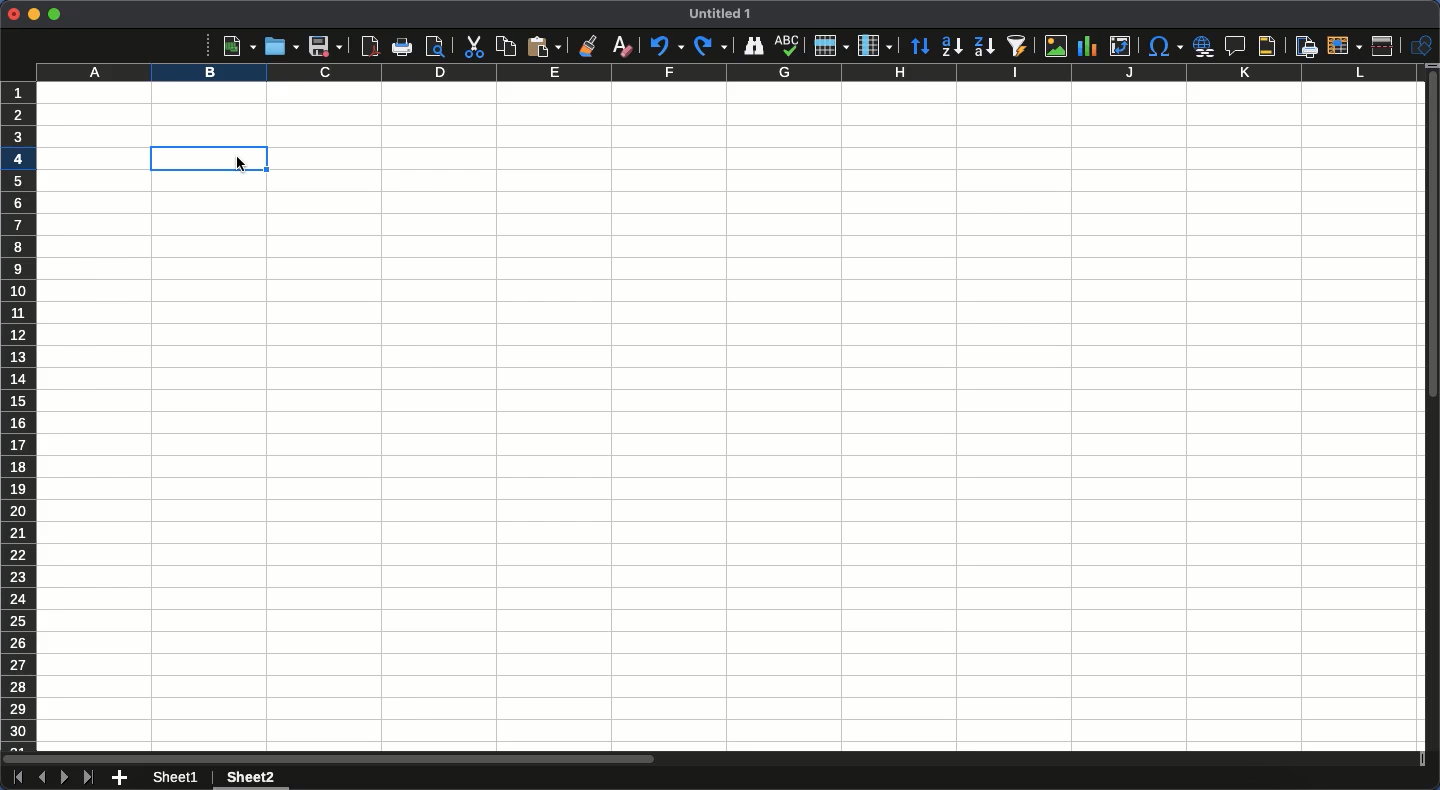 This screenshot has height=790, width=1440. What do you see at coordinates (921, 48) in the screenshot?
I see `Sort` at bounding box center [921, 48].